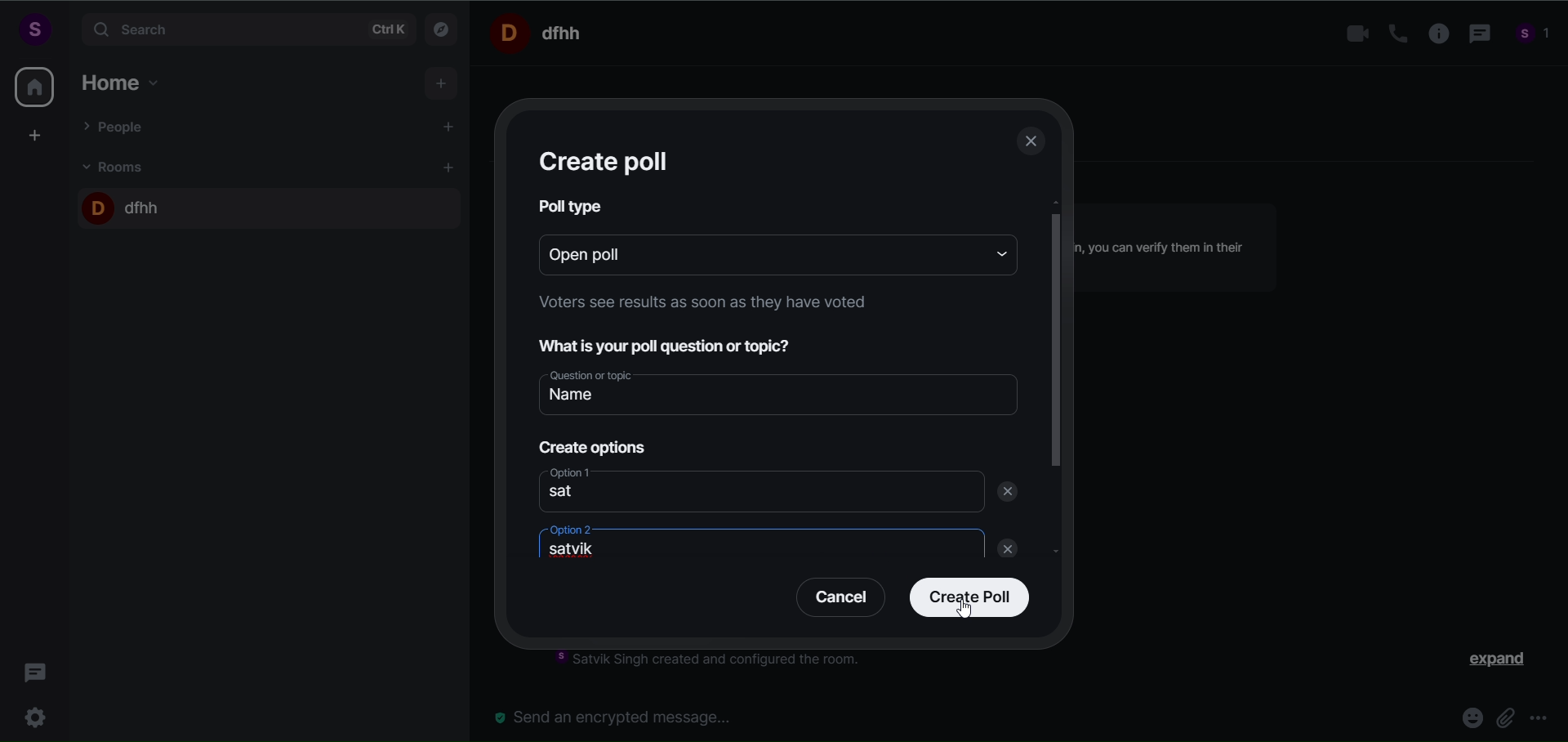  I want to click on create options, so click(590, 444).